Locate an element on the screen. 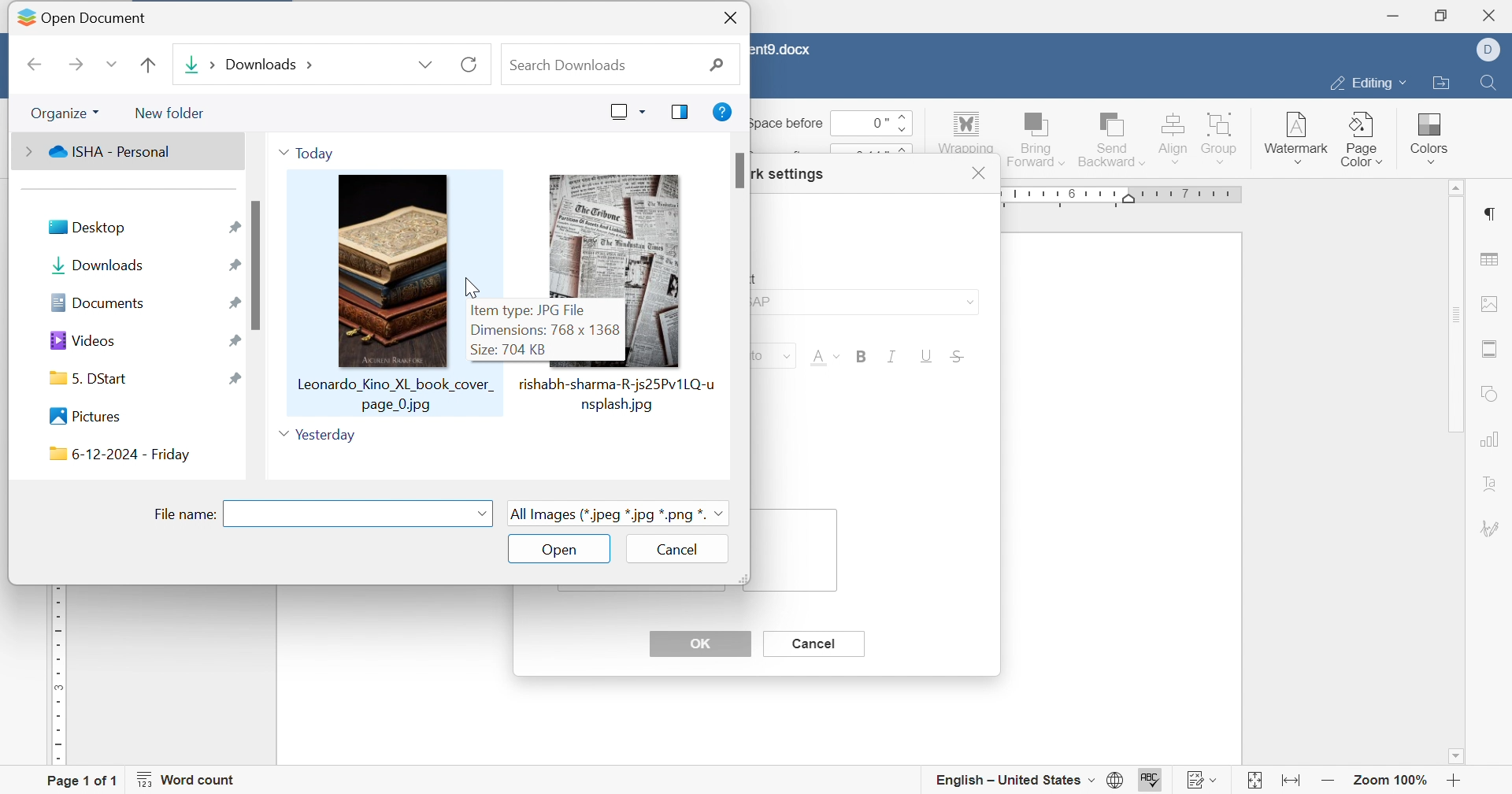 This screenshot has width=1512, height=794. shape settings is located at coordinates (1491, 395).